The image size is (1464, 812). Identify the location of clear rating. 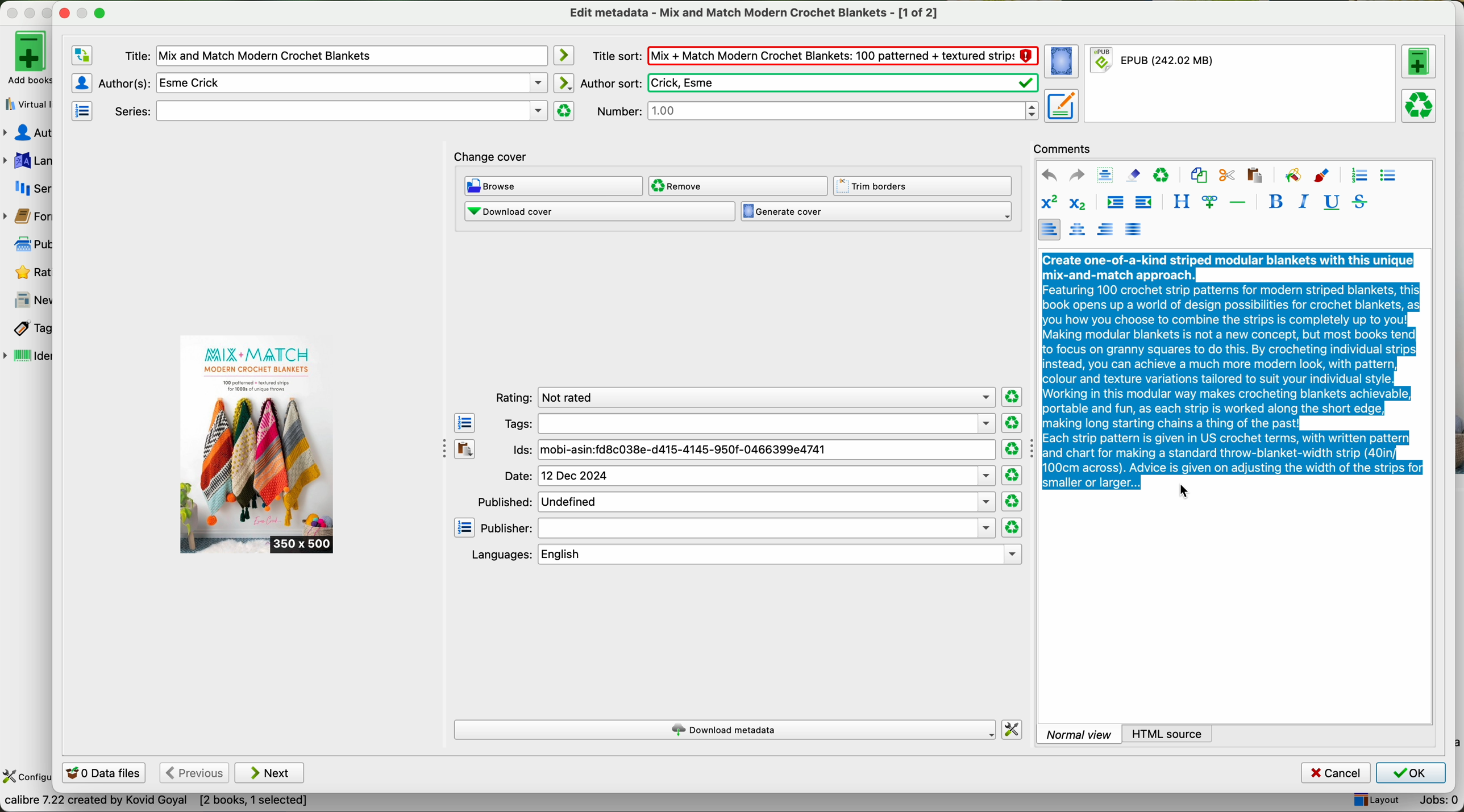
(1012, 449).